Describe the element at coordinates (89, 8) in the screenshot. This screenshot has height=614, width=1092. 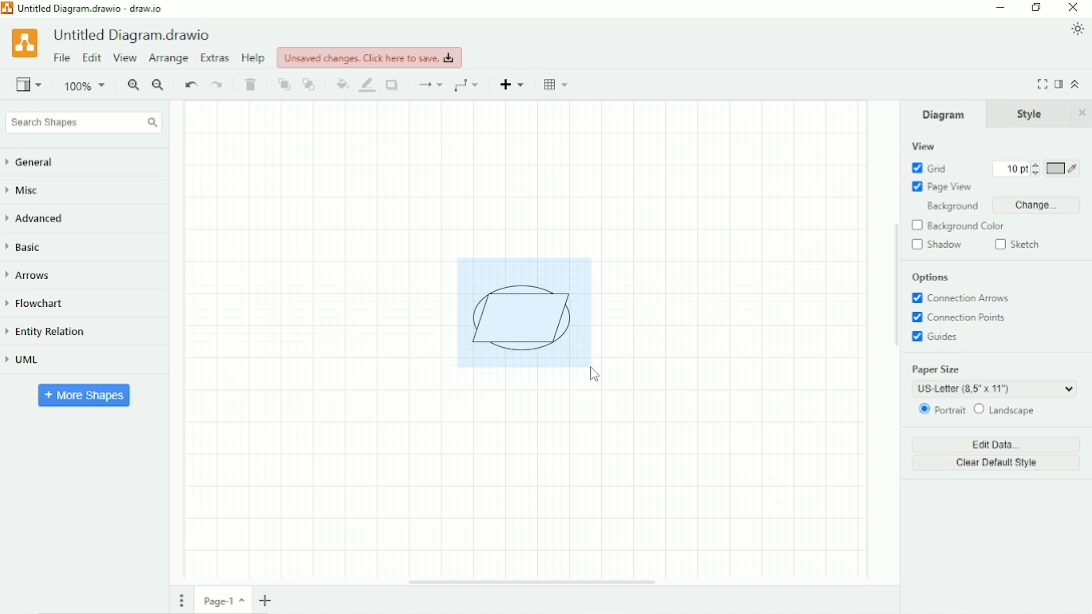
I see `Title ` at that location.